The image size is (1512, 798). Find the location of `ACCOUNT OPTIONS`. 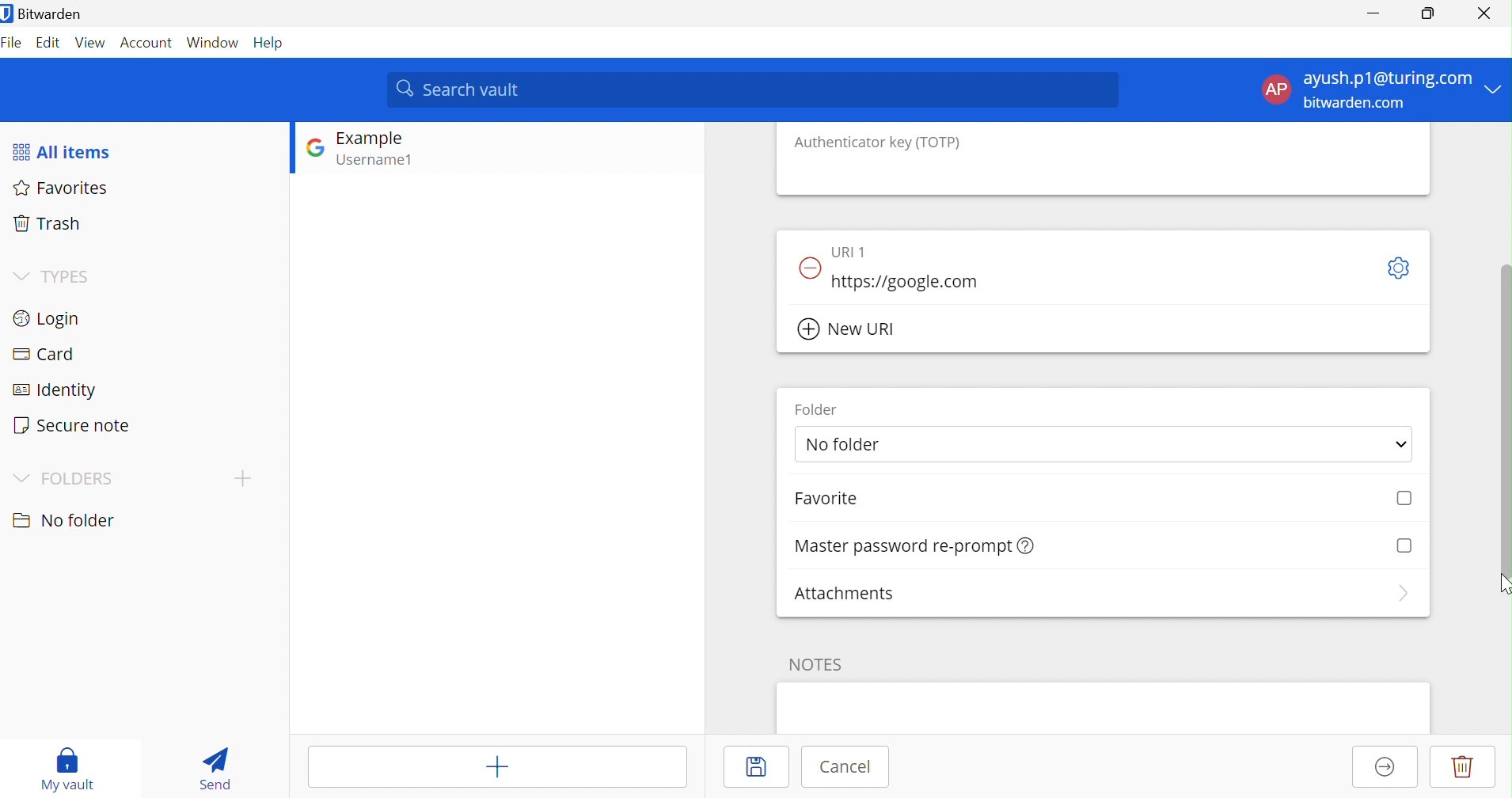

ACCOUNT OPTIONS is located at coordinates (1369, 90).